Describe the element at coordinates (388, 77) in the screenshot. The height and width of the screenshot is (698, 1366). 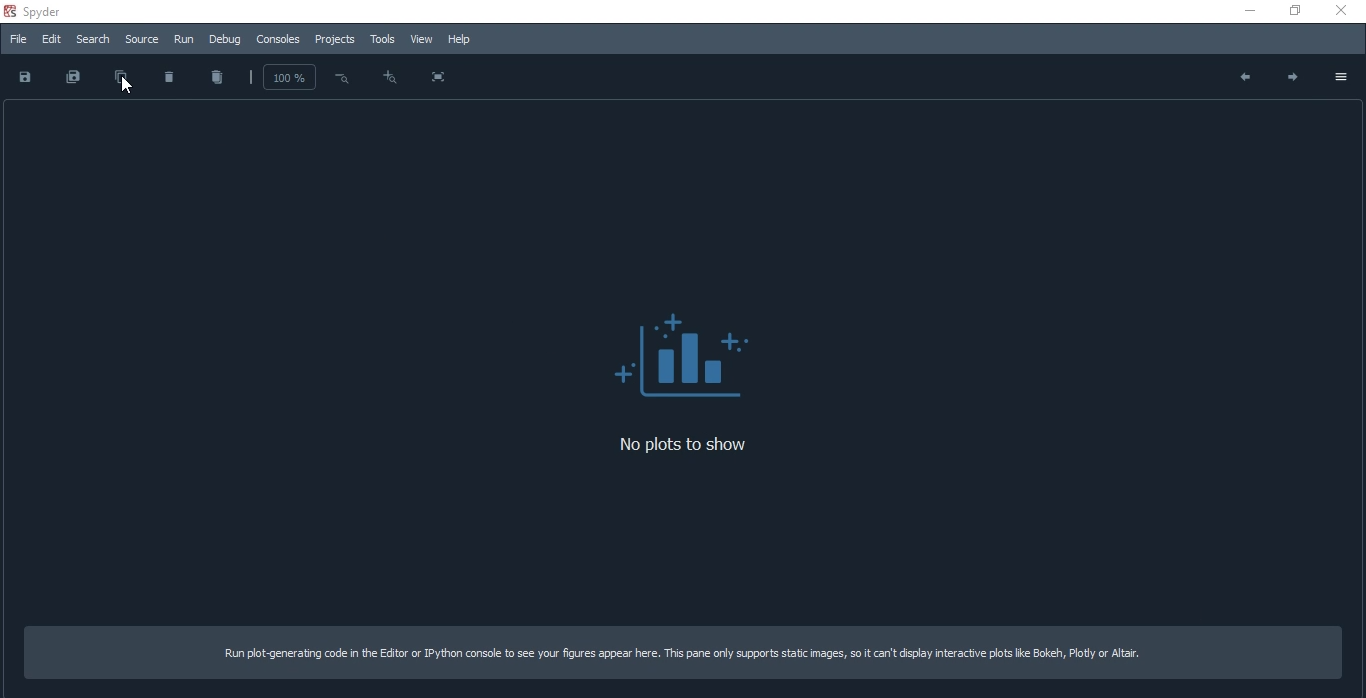
I see `zoom in` at that location.